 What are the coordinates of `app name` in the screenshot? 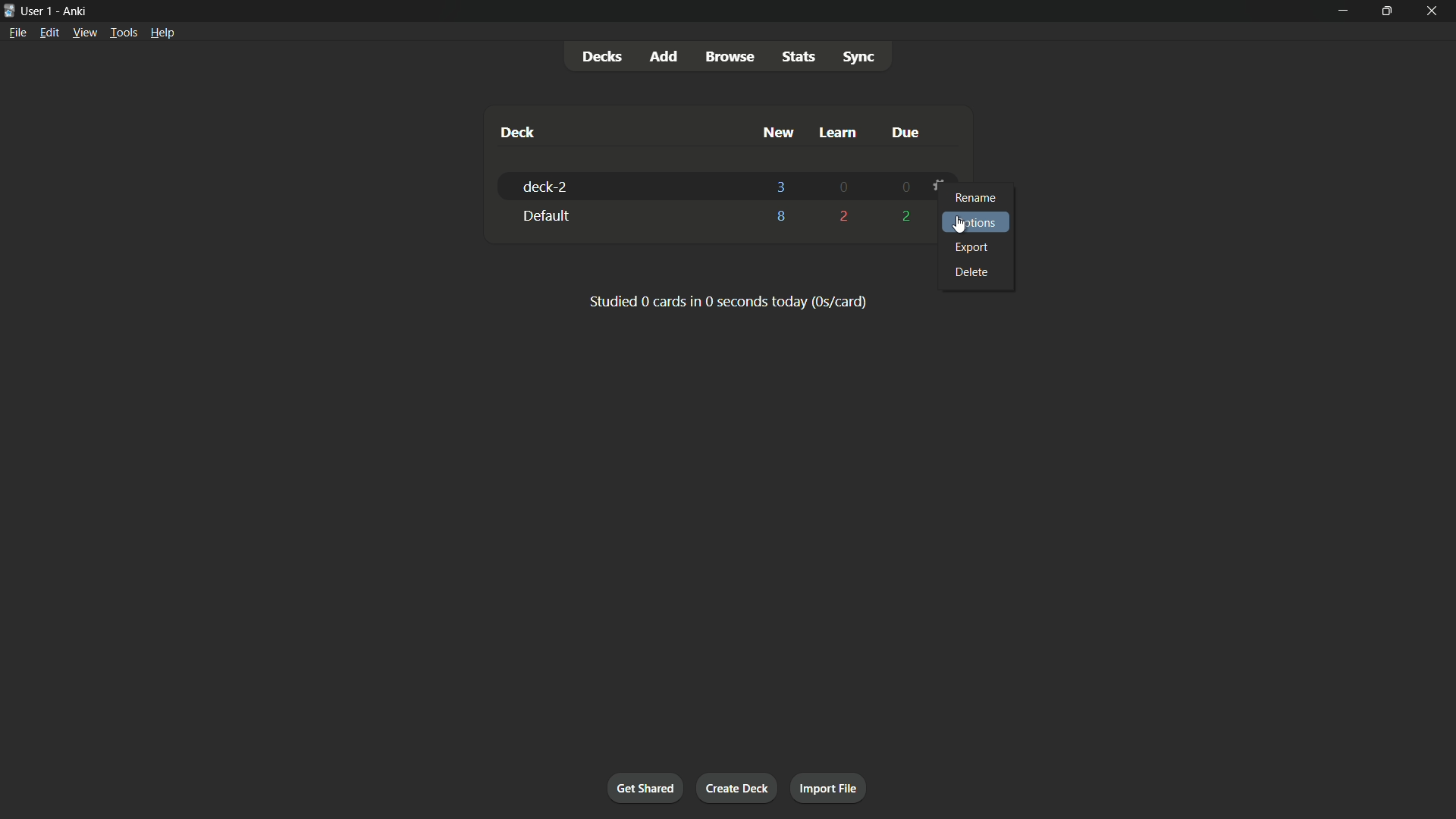 It's located at (74, 11).